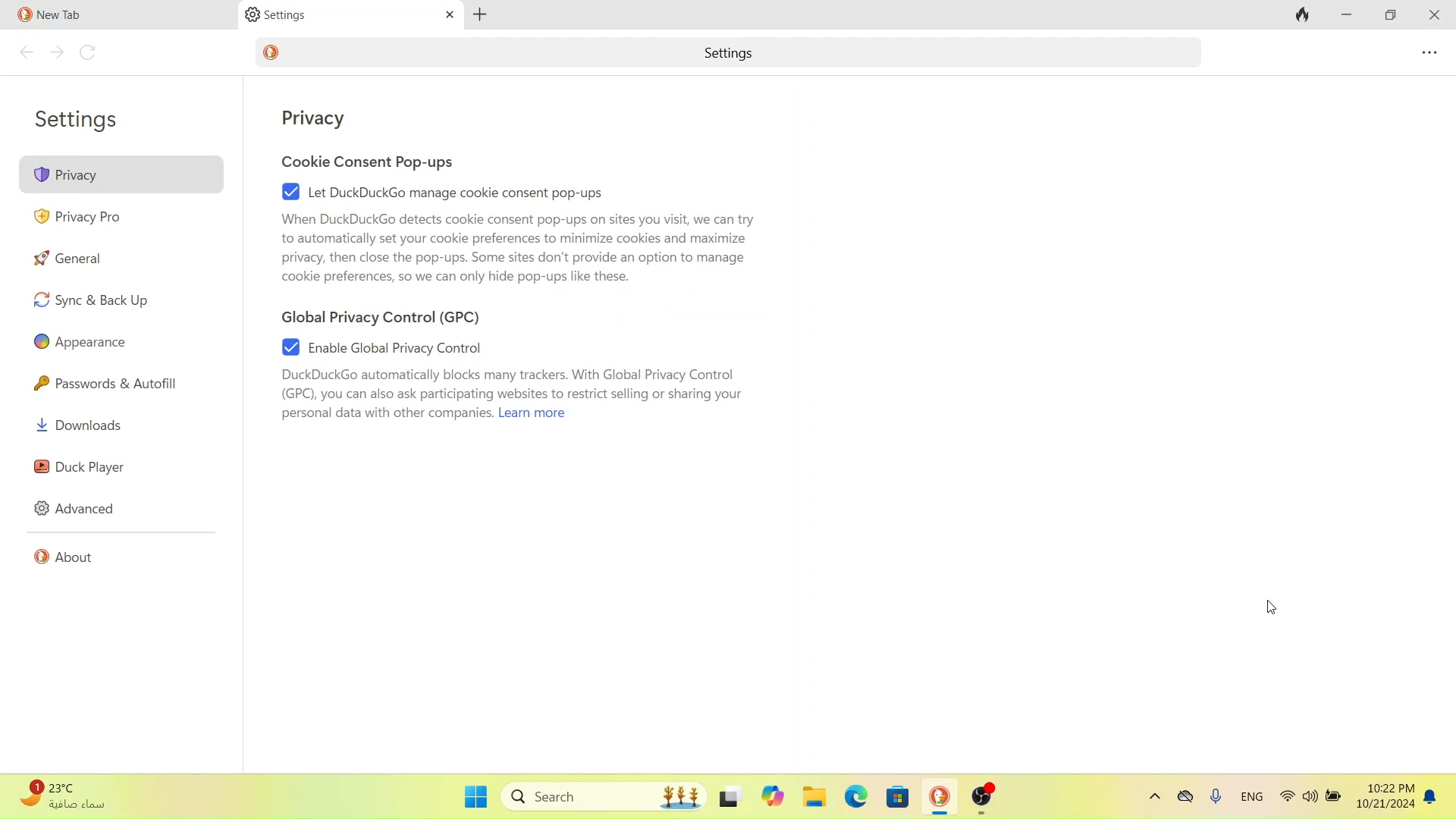 The width and height of the screenshot is (1456, 819). I want to click on restore  window, so click(1386, 17).